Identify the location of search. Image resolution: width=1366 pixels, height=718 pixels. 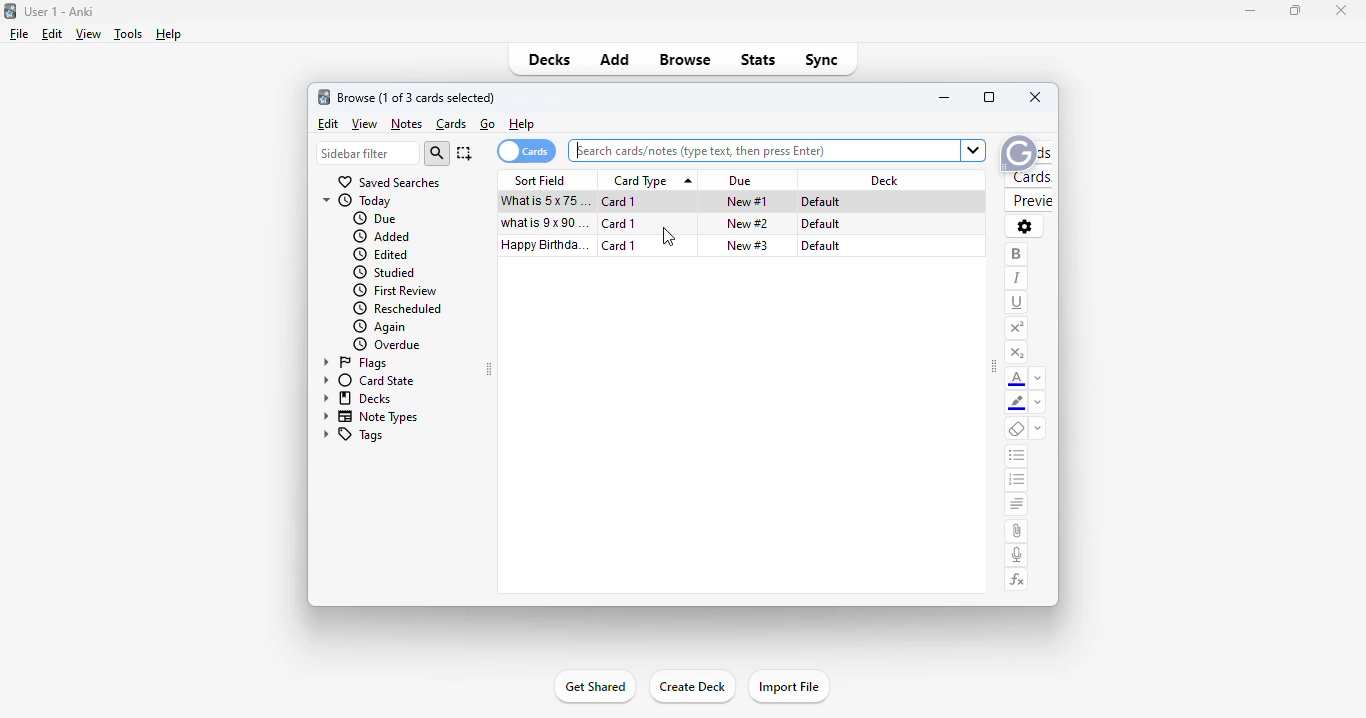
(437, 153).